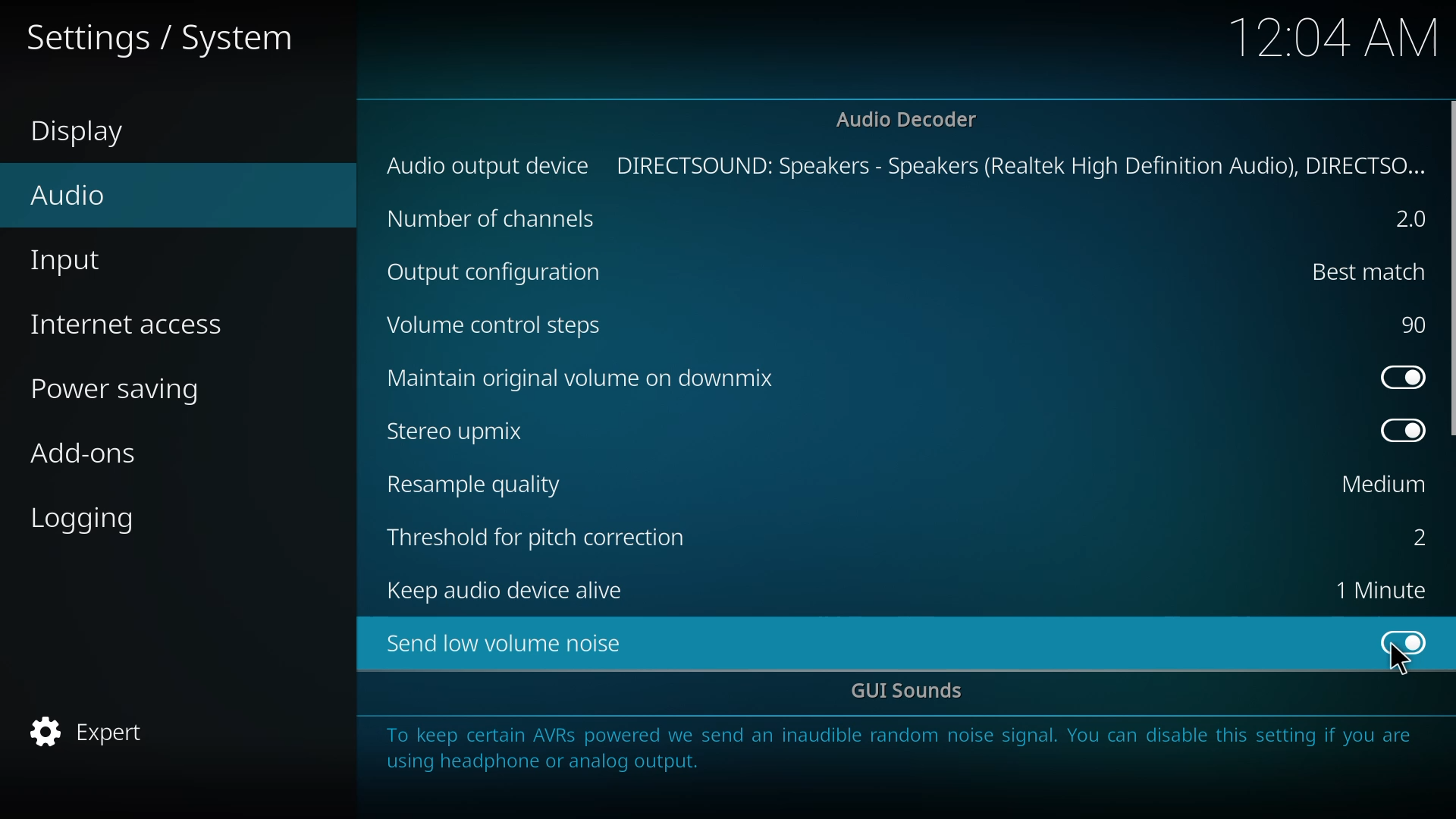 This screenshot has height=819, width=1456. I want to click on settings system, so click(165, 37).